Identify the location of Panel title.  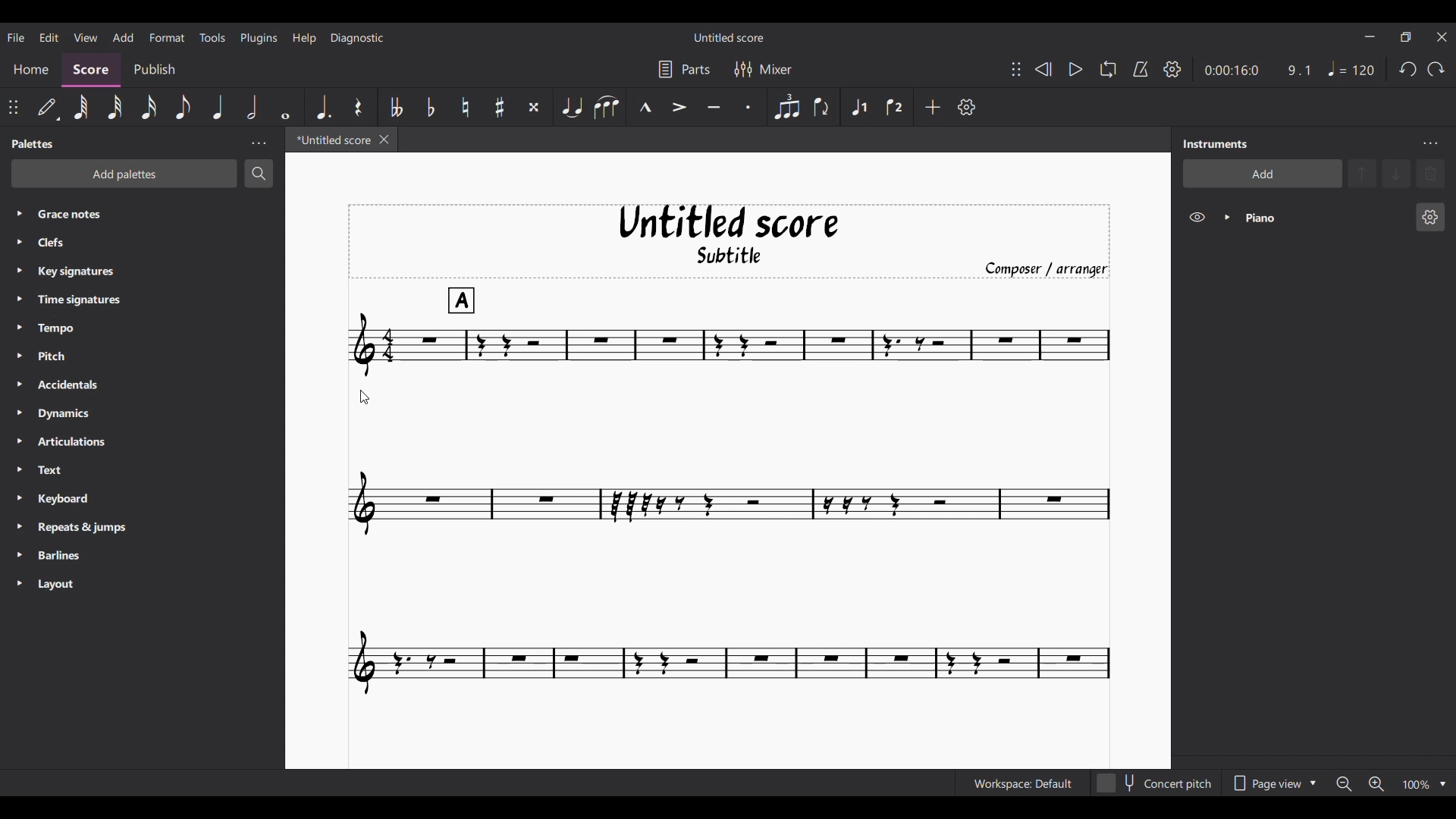
(1219, 144).